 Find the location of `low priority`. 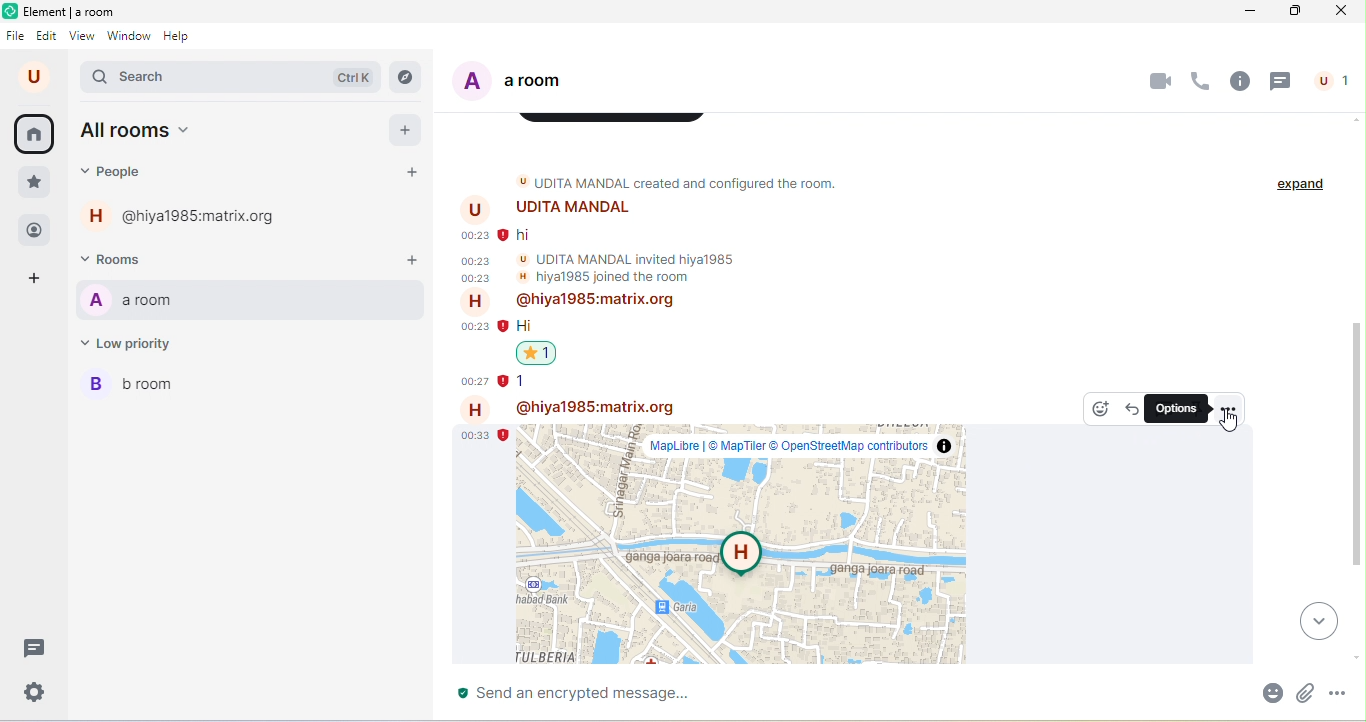

low priority is located at coordinates (137, 343).